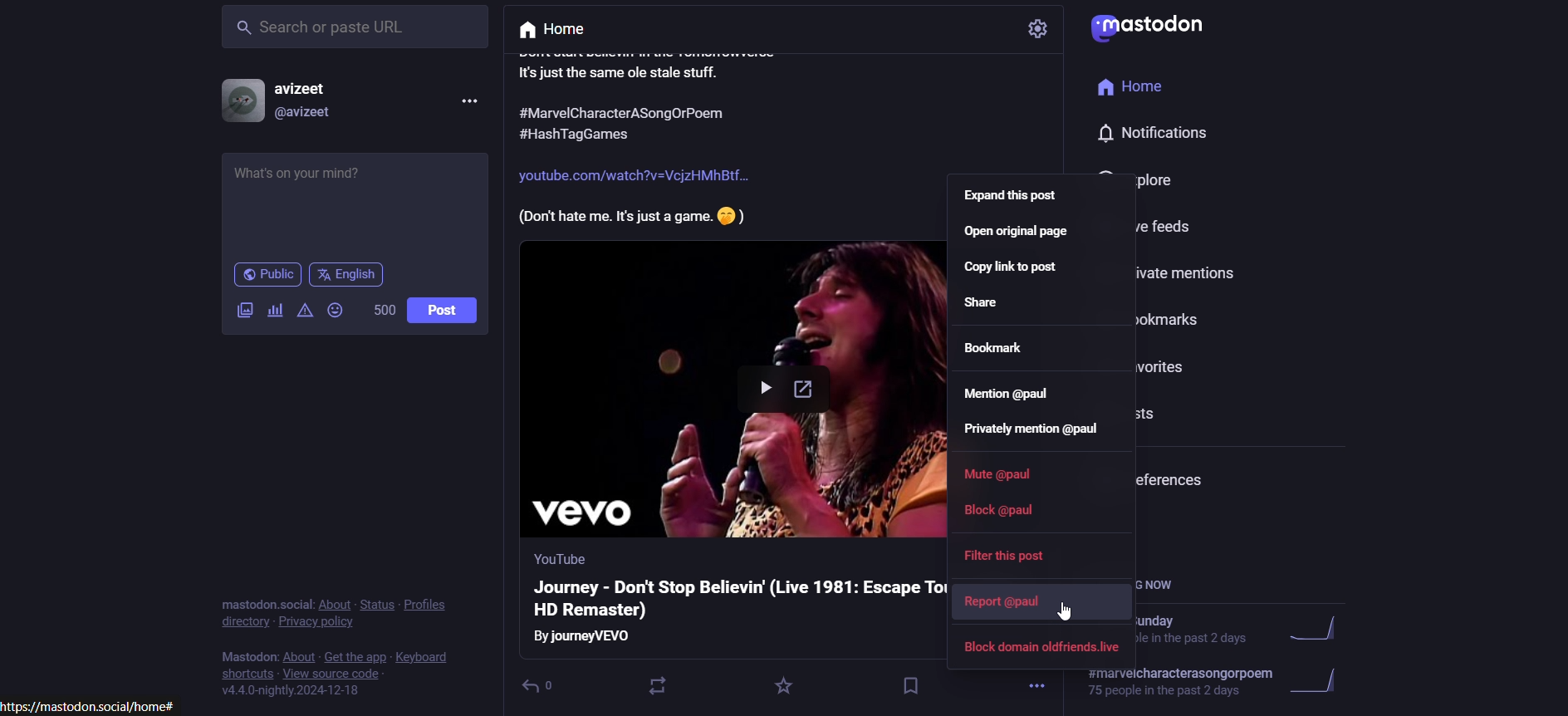 The image size is (1568, 716). What do you see at coordinates (337, 311) in the screenshot?
I see `emoji` at bounding box center [337, 311].